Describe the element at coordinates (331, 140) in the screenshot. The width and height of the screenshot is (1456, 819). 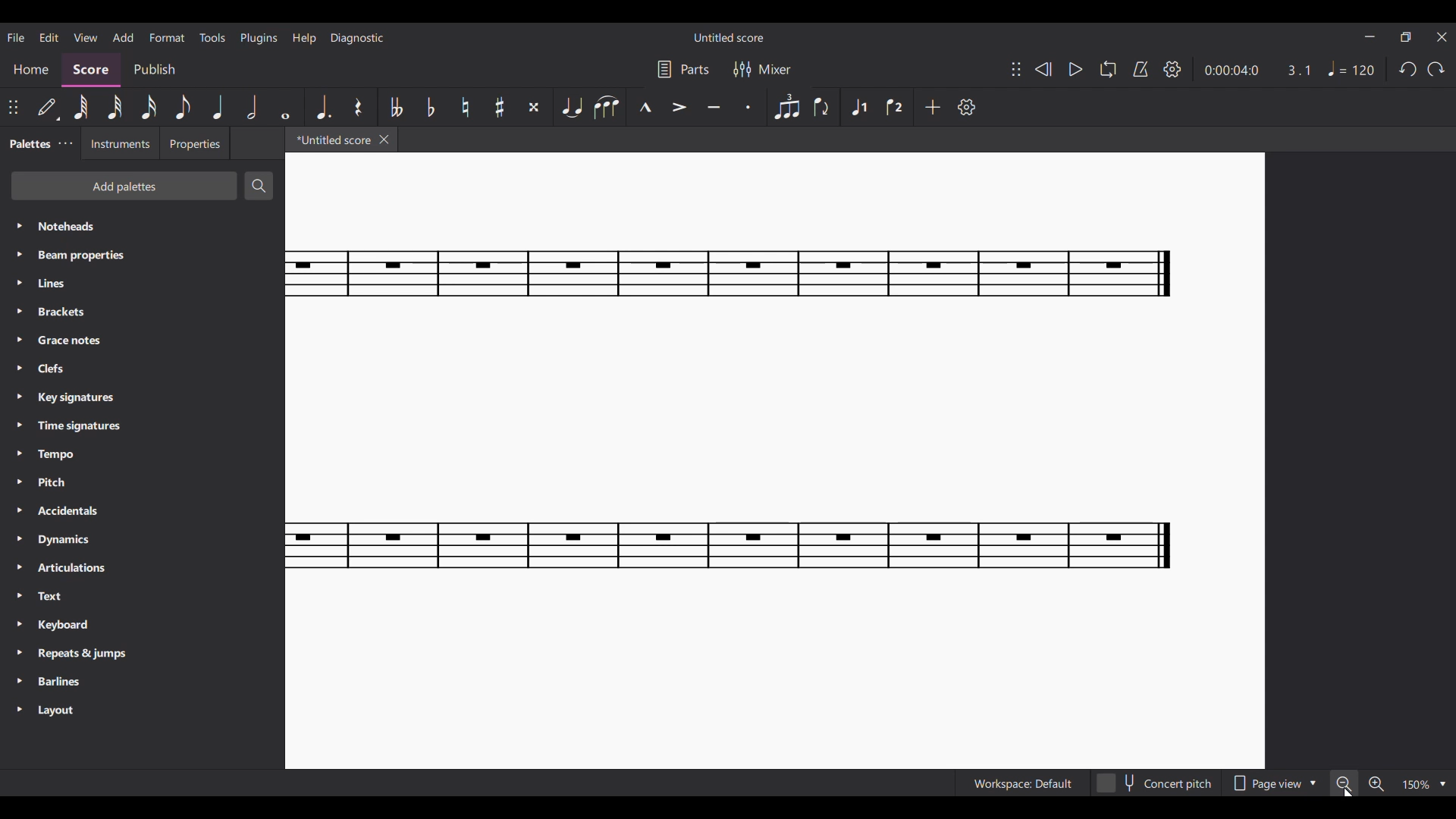
I see `*Untitle score, current tab` at that location.